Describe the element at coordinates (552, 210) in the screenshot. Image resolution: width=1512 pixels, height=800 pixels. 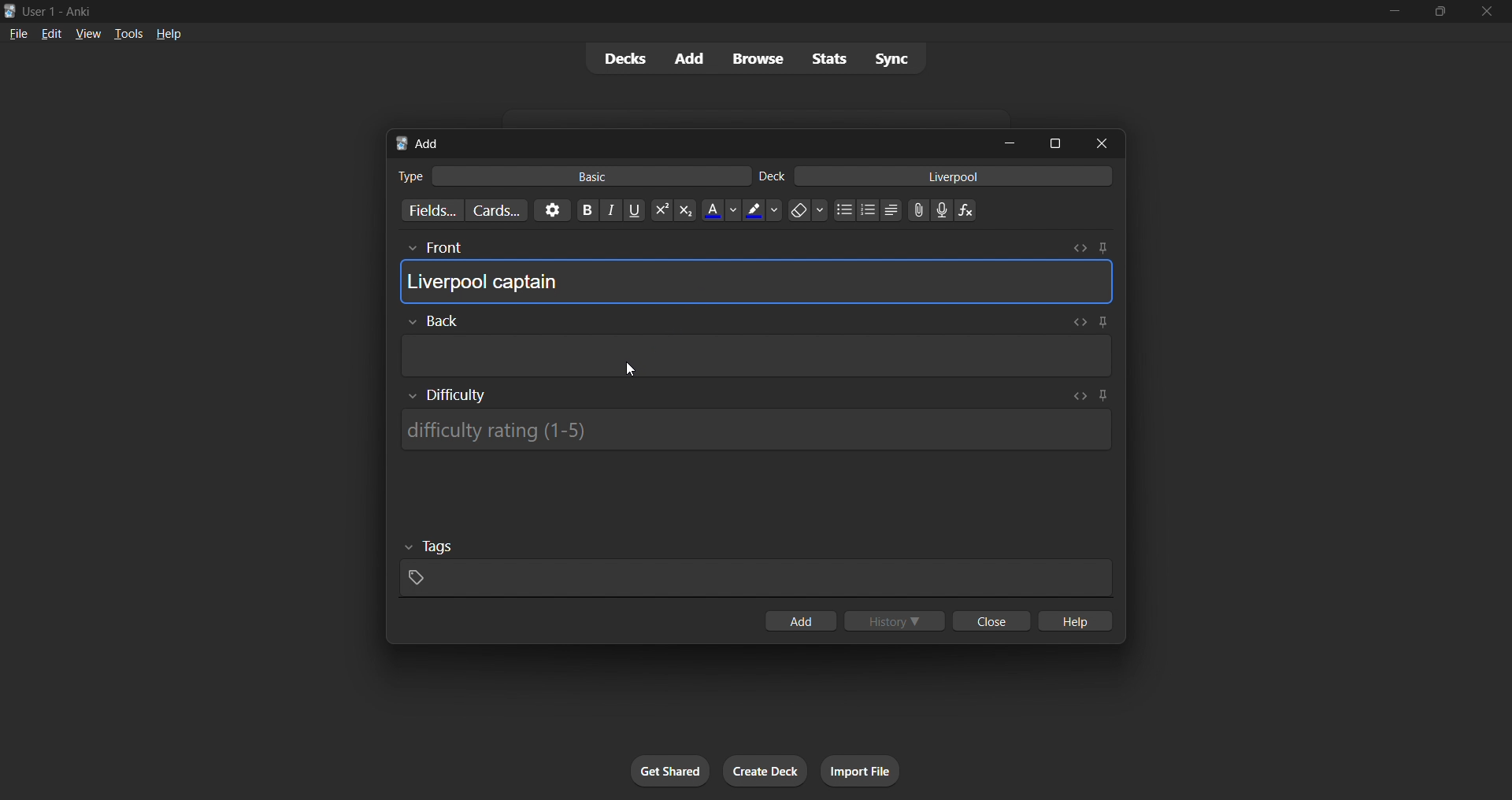
I see `options` at that location.